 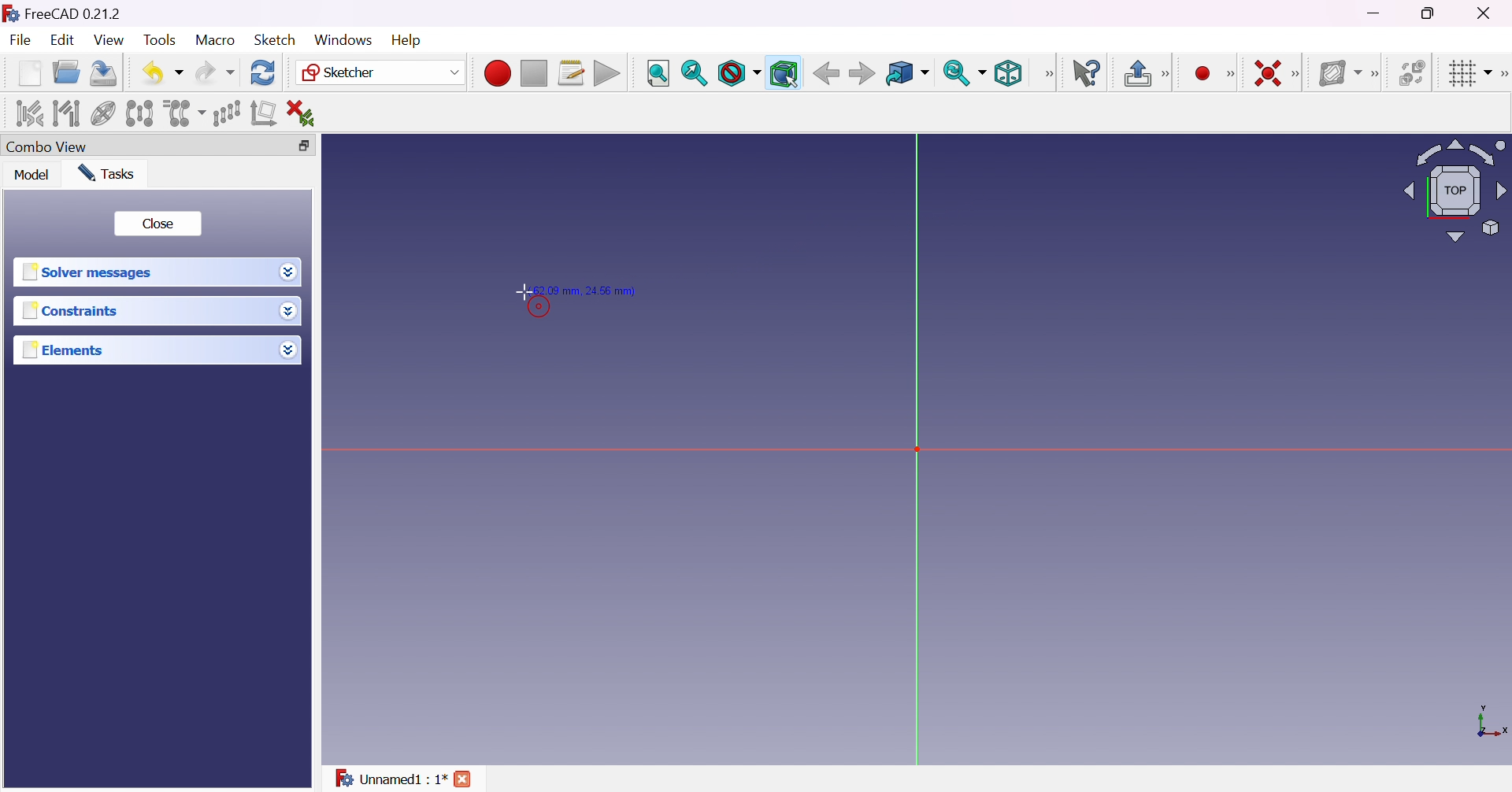 I want to click on Model, so click(x=31, y=175).